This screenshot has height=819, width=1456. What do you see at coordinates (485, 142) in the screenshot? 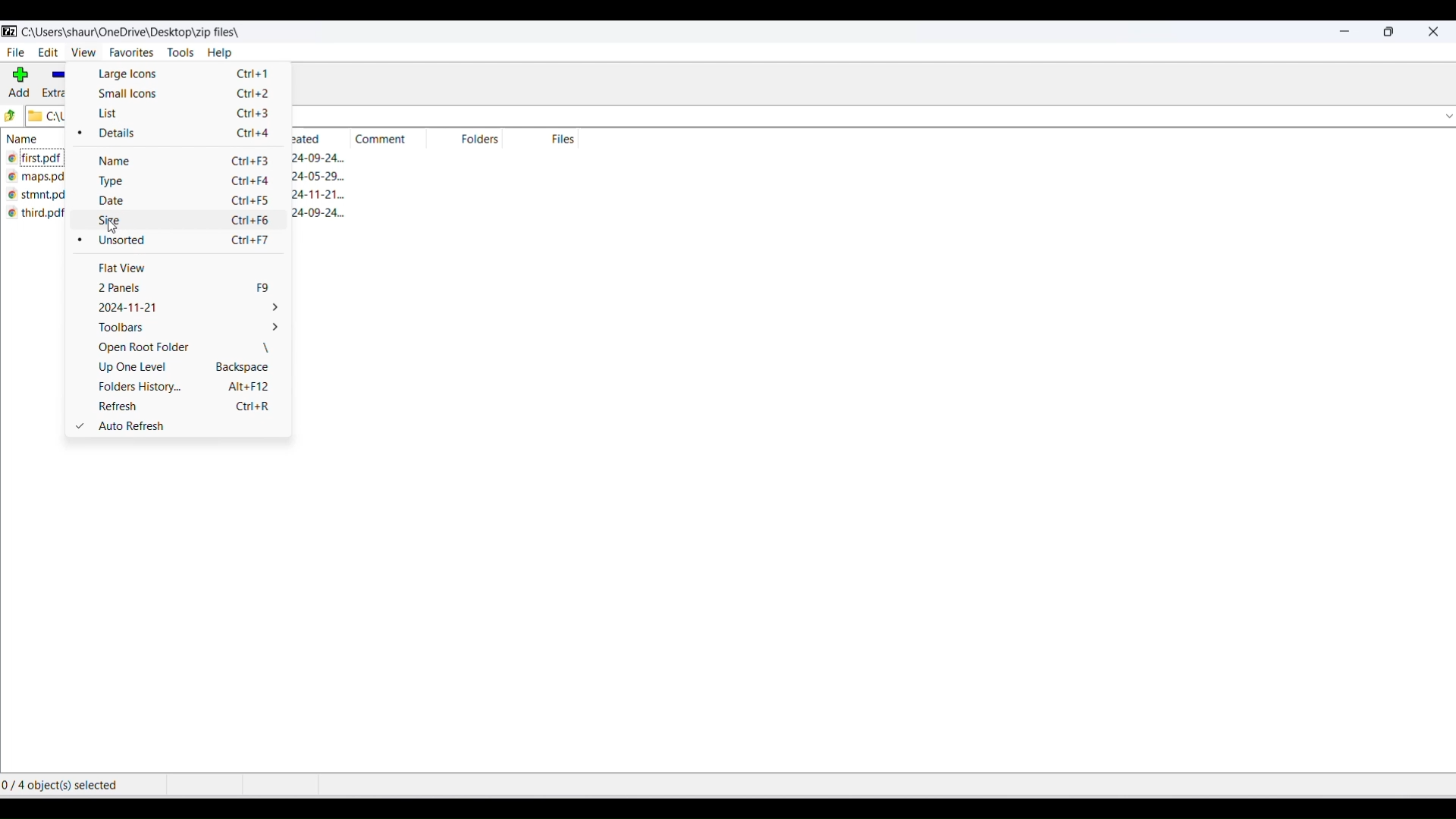
I see `folders` at bounding box center [485, 142].